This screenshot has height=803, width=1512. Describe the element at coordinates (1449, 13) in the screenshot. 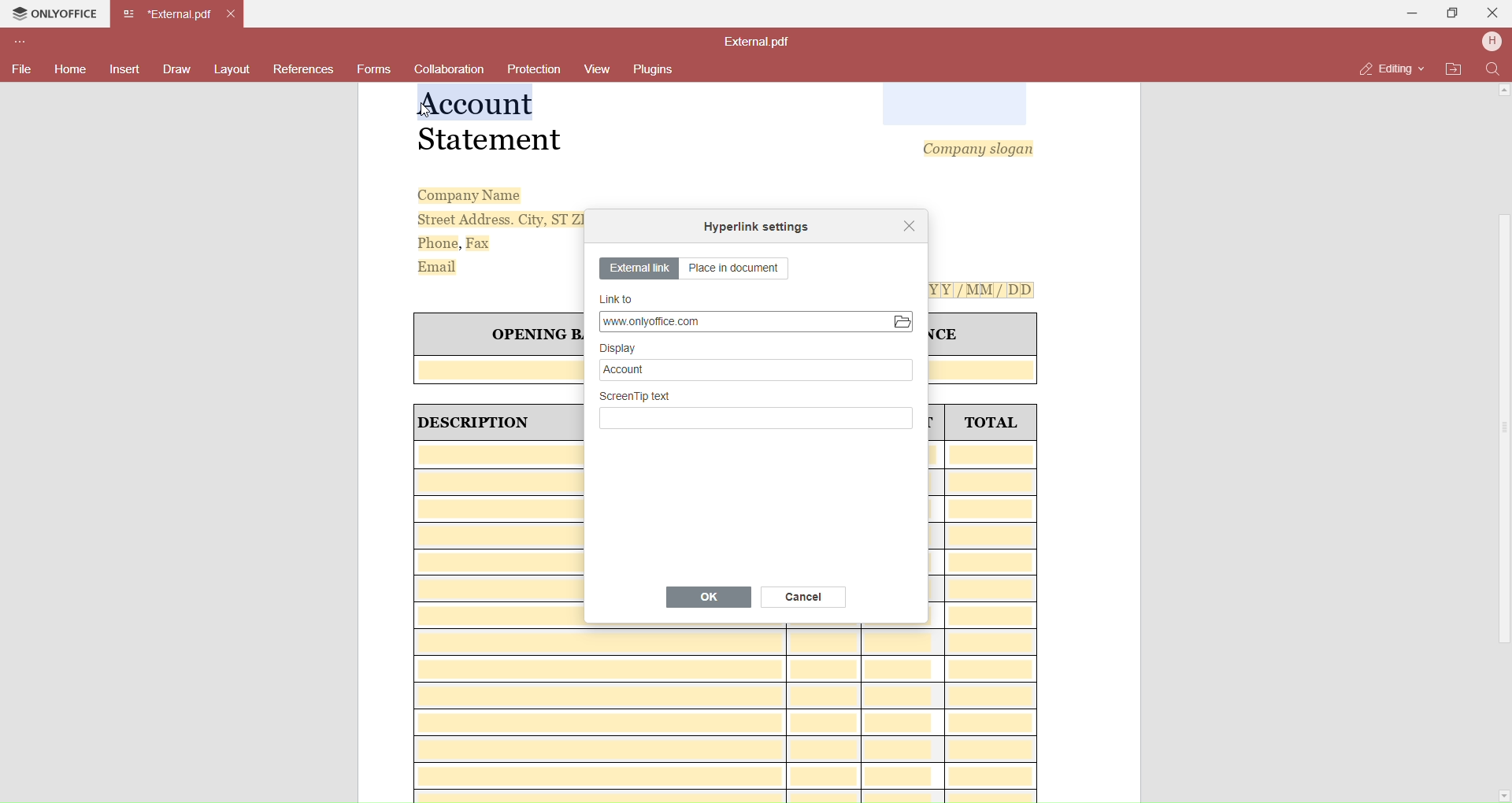

I see `Maximize` at that location.